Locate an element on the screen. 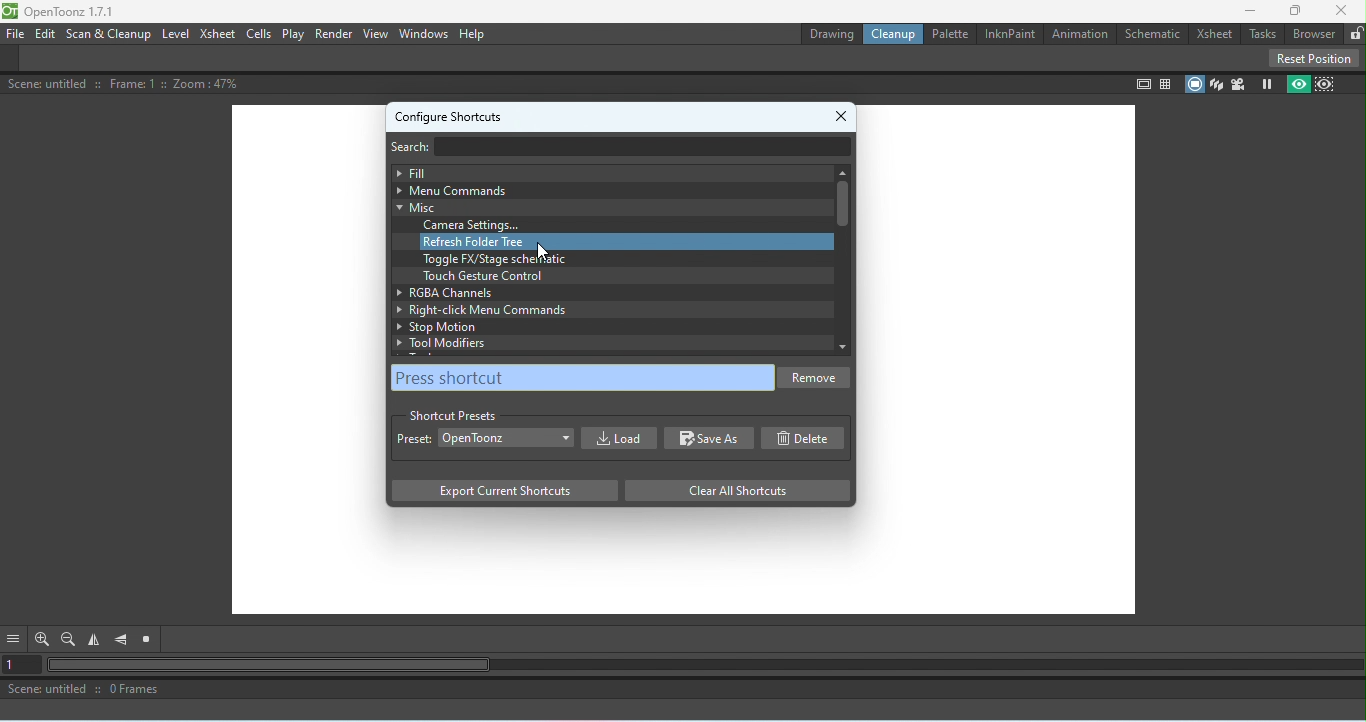  Camera view is located at coordinates (1238, 84).